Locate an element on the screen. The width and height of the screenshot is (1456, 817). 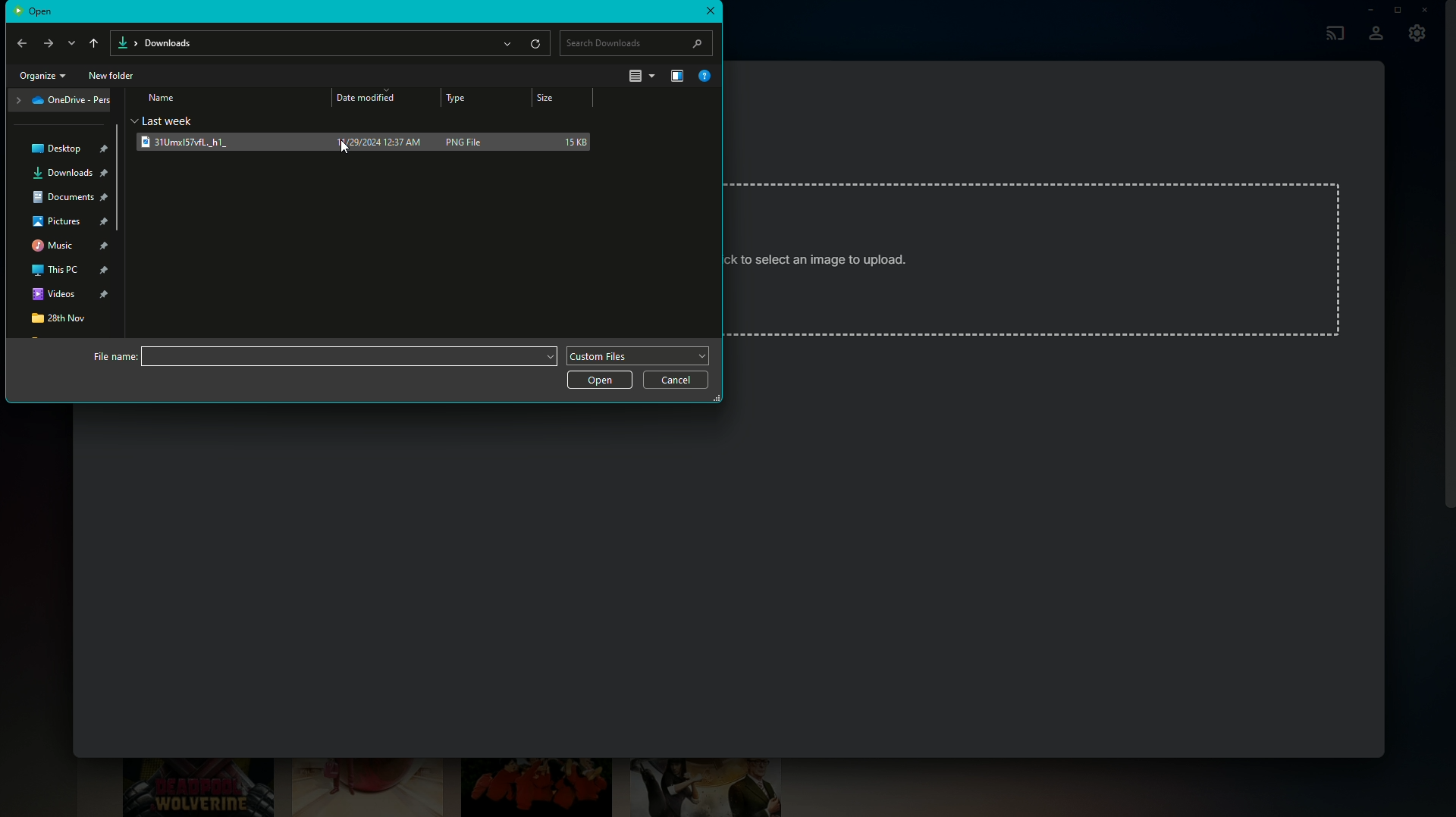
Type is located at coordinates (456, 99).